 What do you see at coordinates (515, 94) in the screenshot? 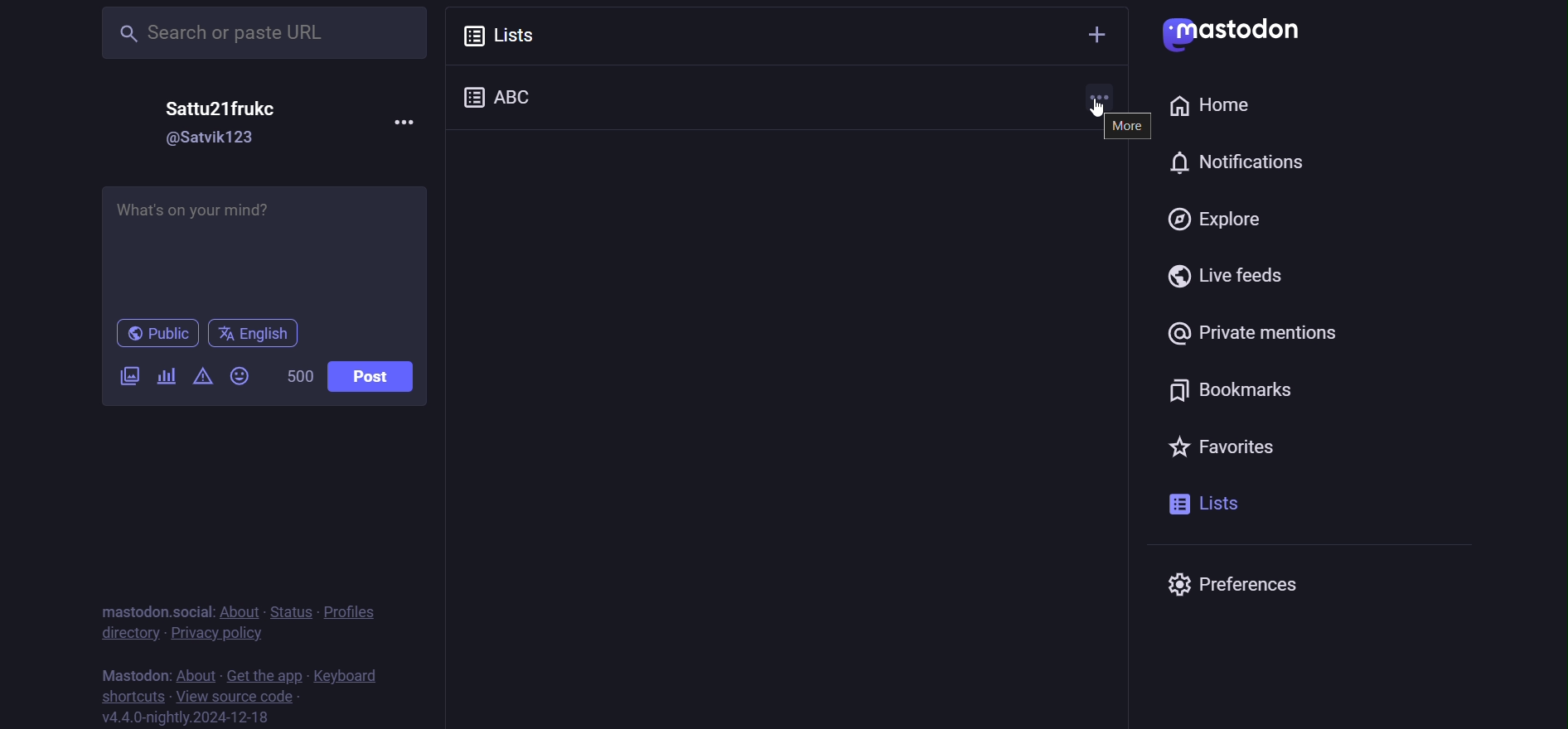
I see `ABC` at bounding box center [515, 94].